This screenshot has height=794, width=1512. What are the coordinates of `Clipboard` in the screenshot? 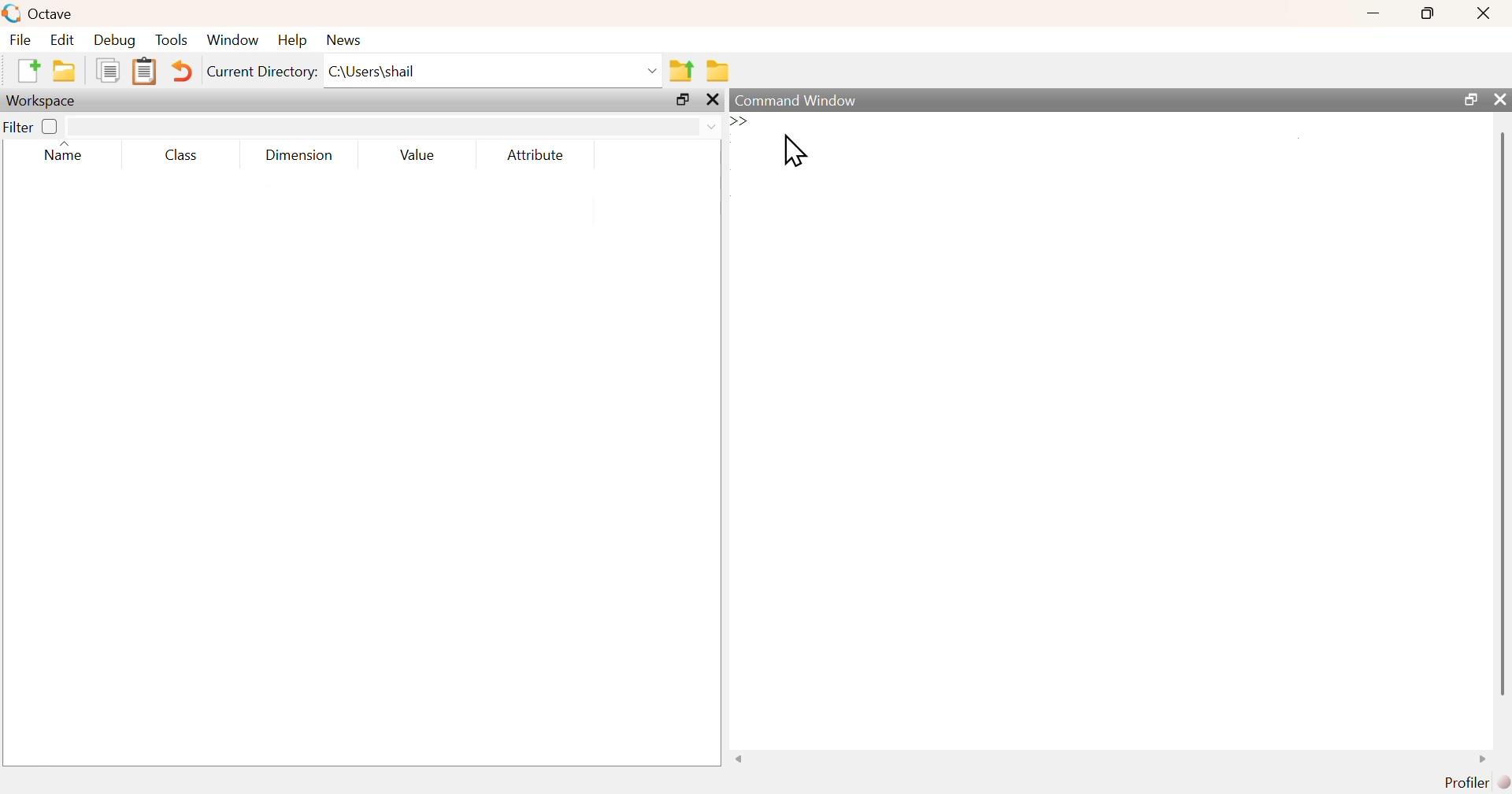 It's located at (143, 72).